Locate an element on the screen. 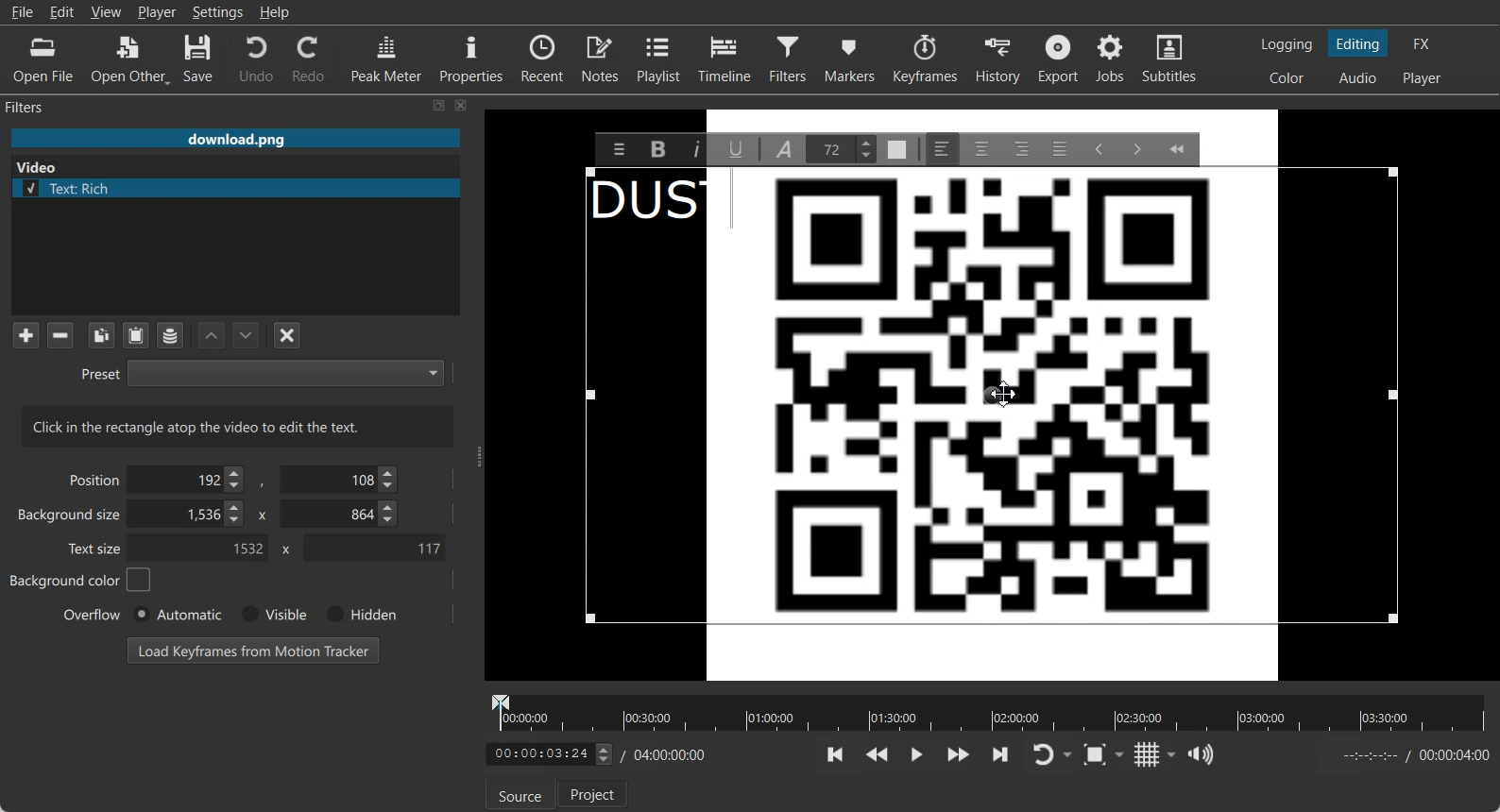 This screenshot has width=1500, height=812. Bold is located at coordinates (657, 148).